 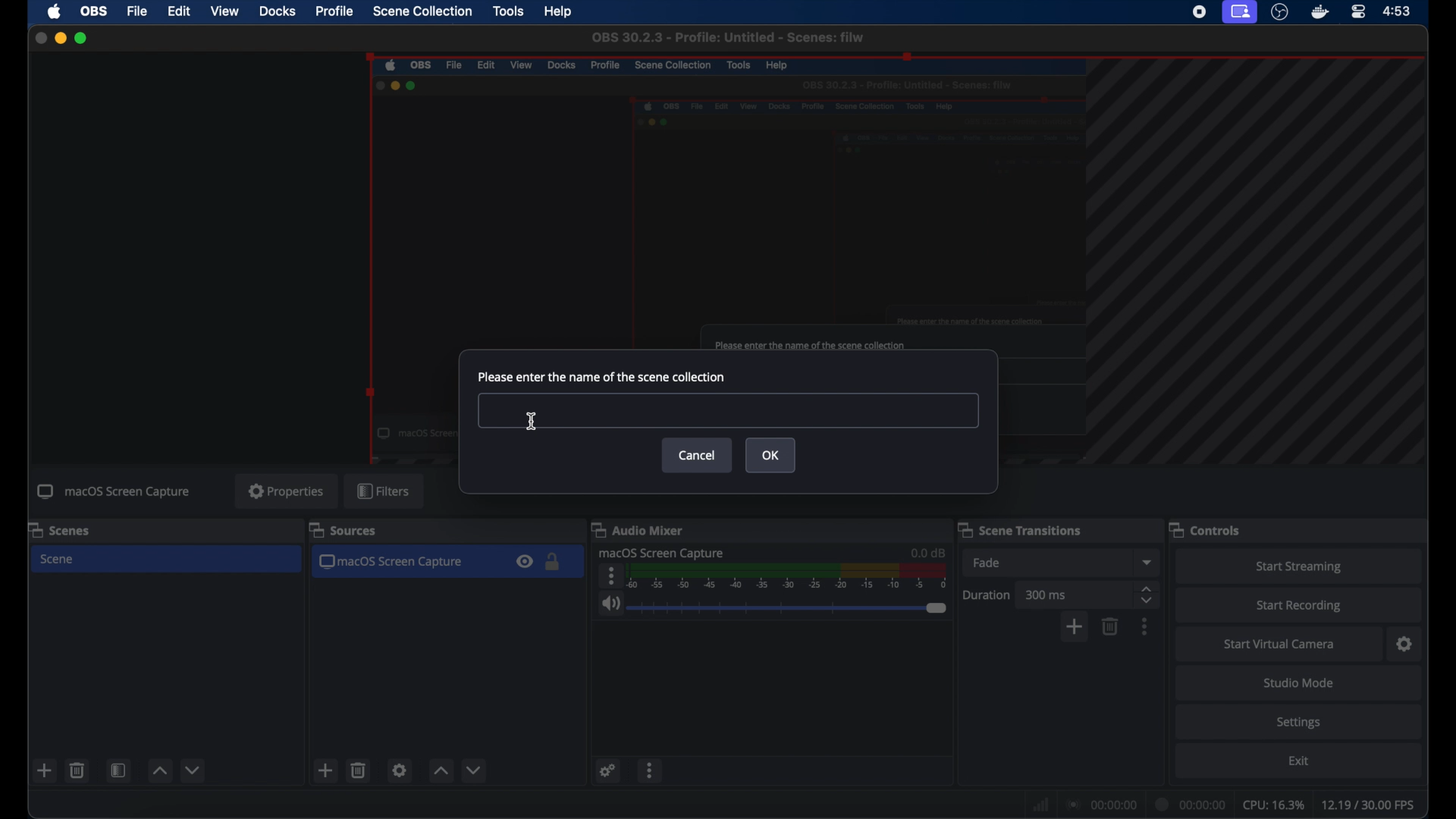 I want to click on stepper button, so click(x=1147, y=594).